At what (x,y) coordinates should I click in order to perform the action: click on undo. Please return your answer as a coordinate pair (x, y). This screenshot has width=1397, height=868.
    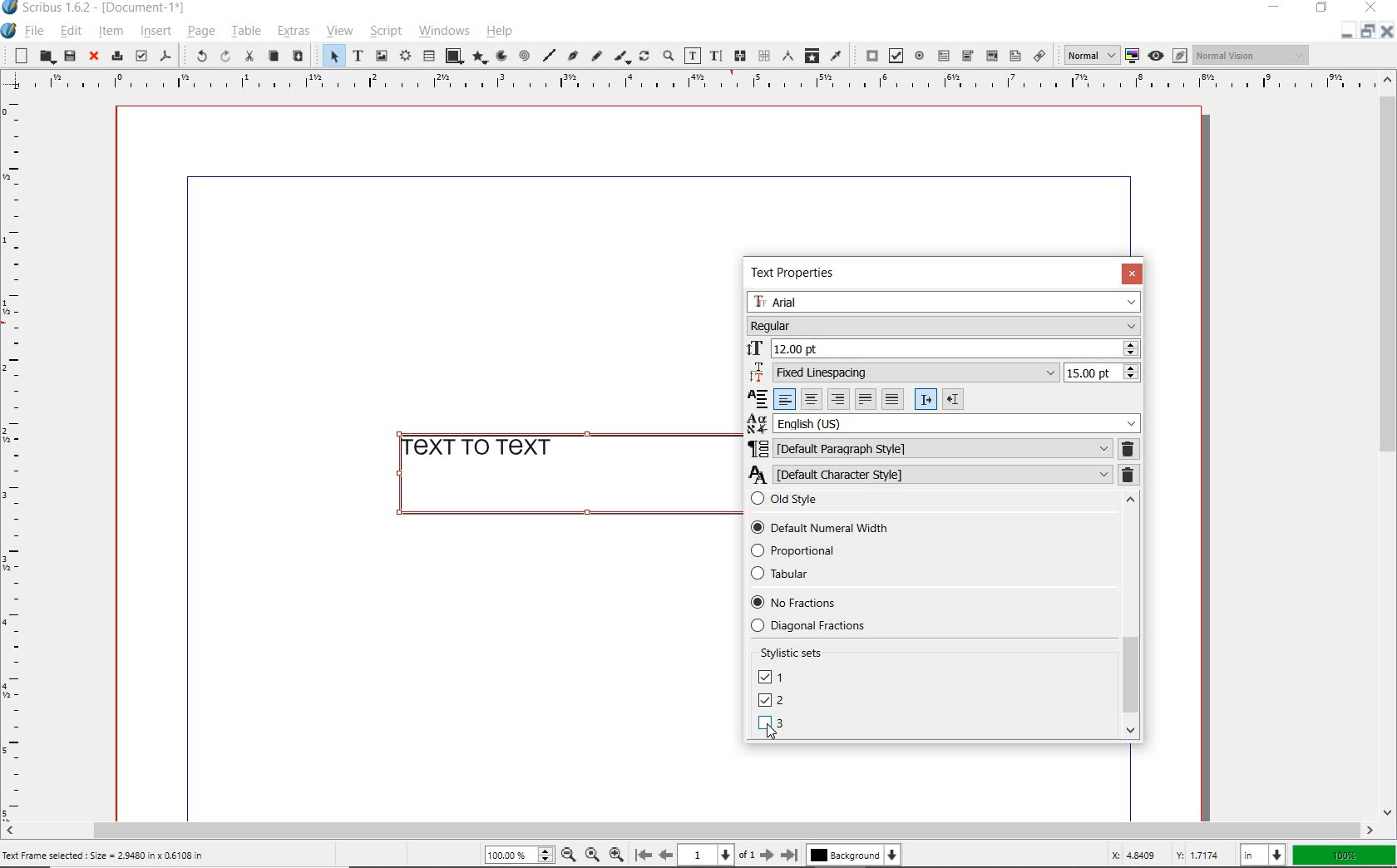
    Looking at the image, I should click on (195, 55).